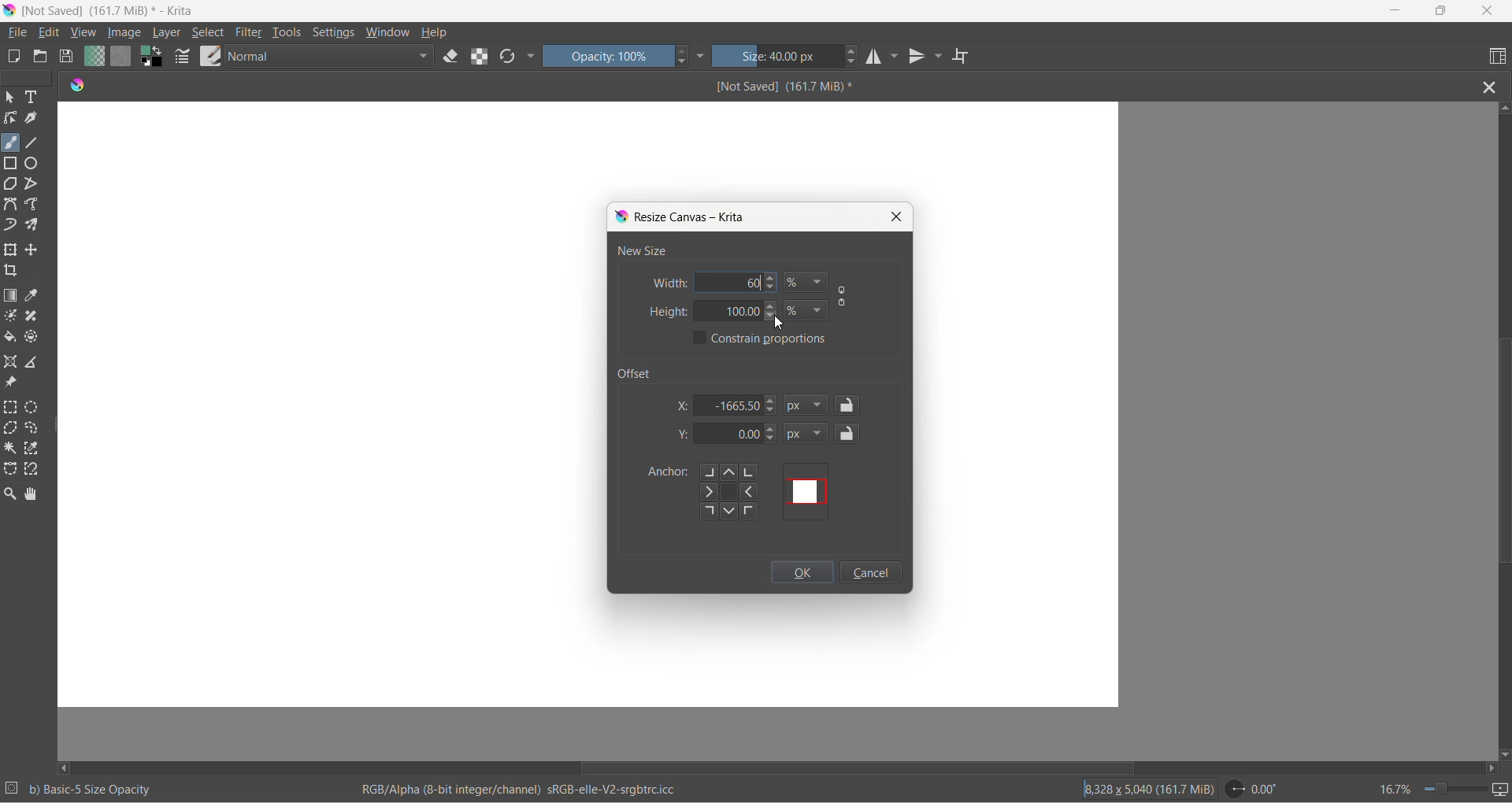  Describe the element at coordinates (684, 405) in the screenshot. I see `x-axis` at that location.